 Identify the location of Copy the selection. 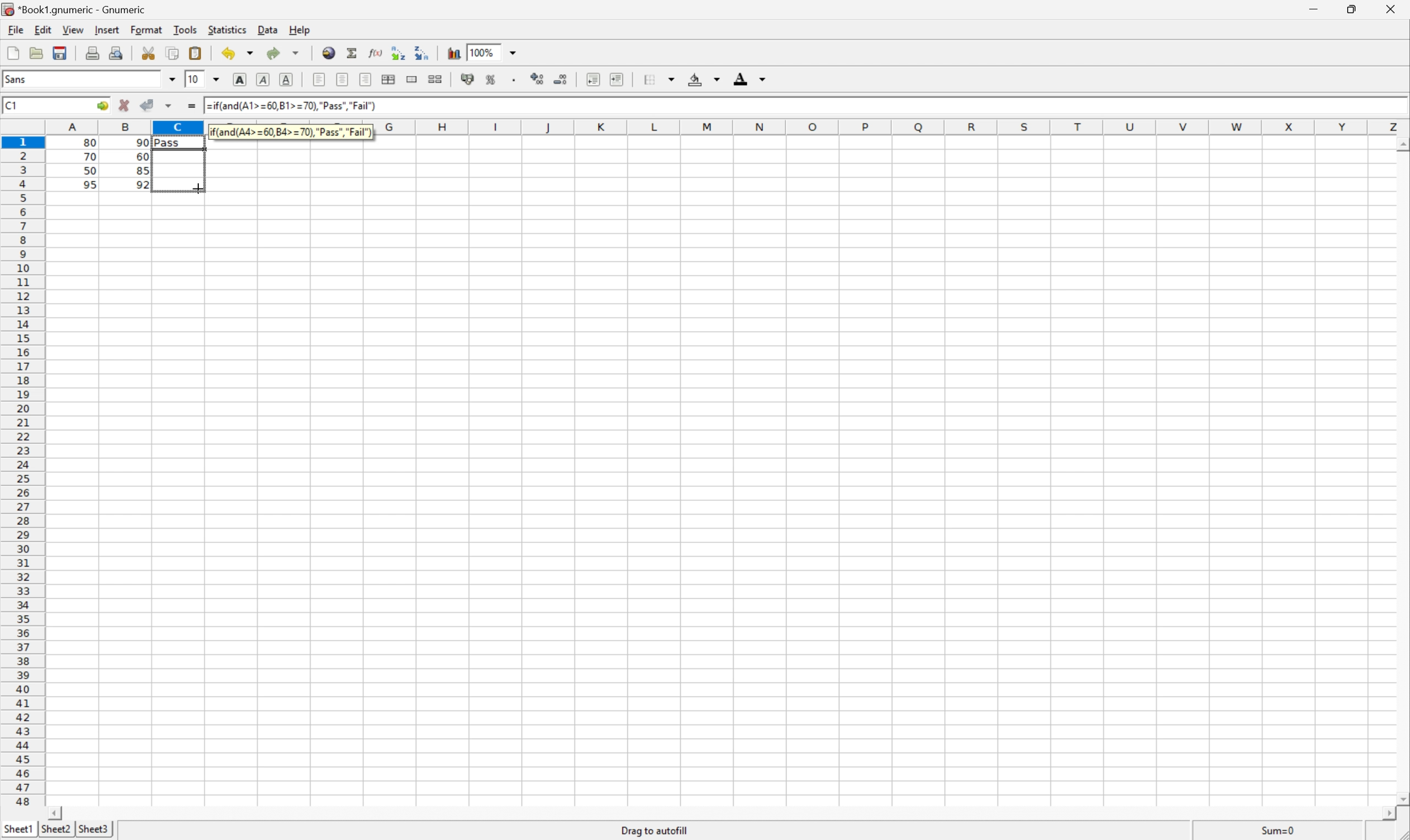
(174, 52).